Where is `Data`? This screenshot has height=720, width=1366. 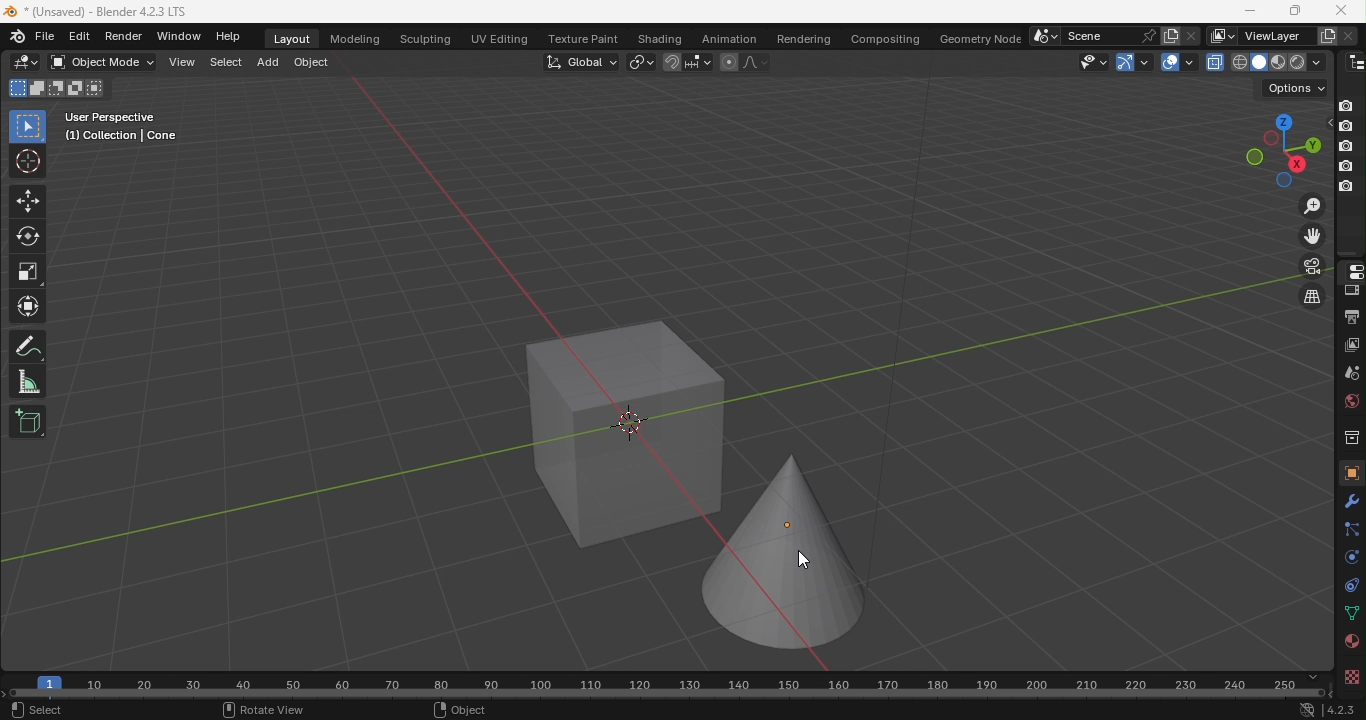 Data is located at coordinates (1351, 614).